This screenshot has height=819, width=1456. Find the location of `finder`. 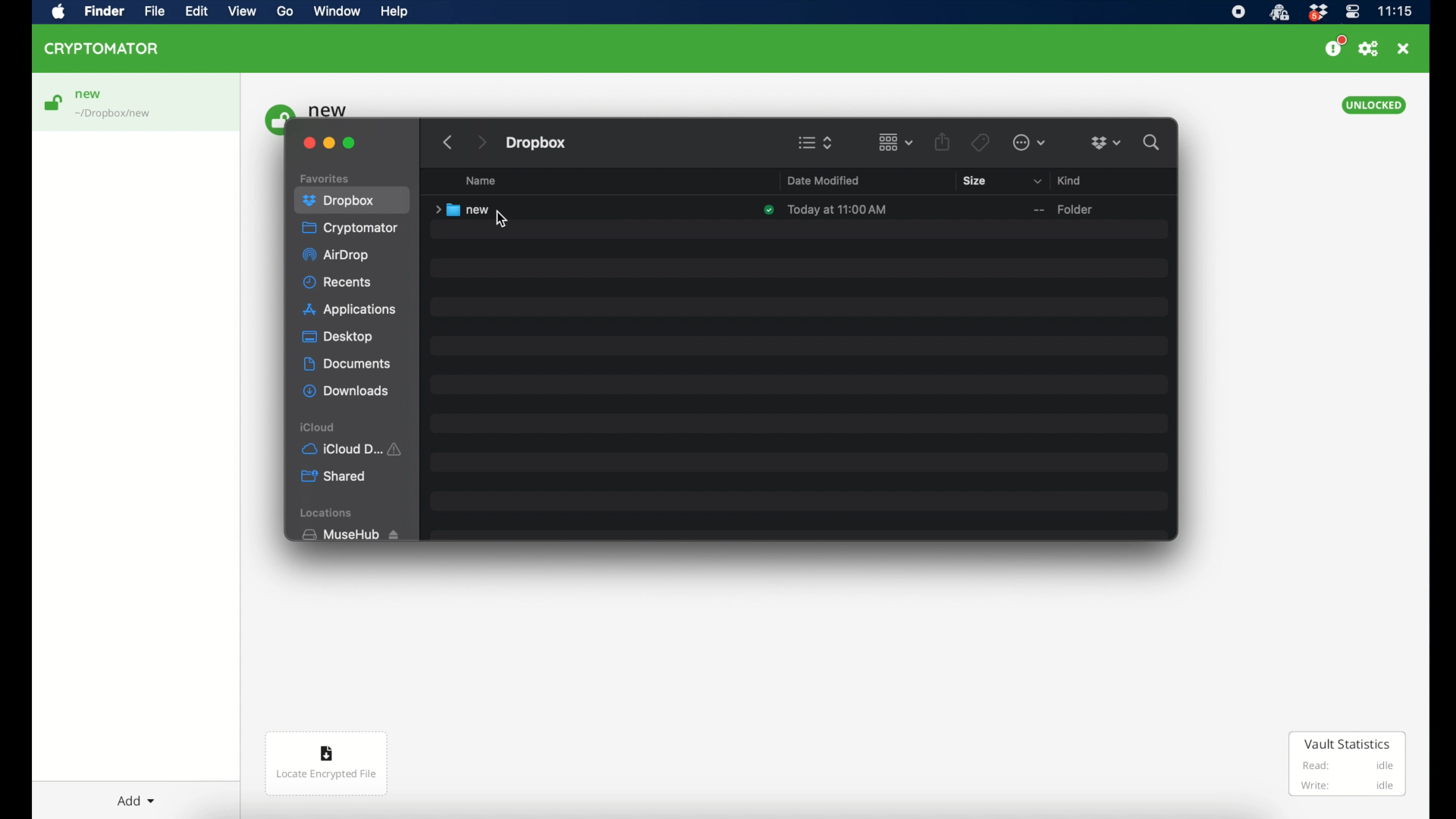

finder is located at coordinates (104, 11).